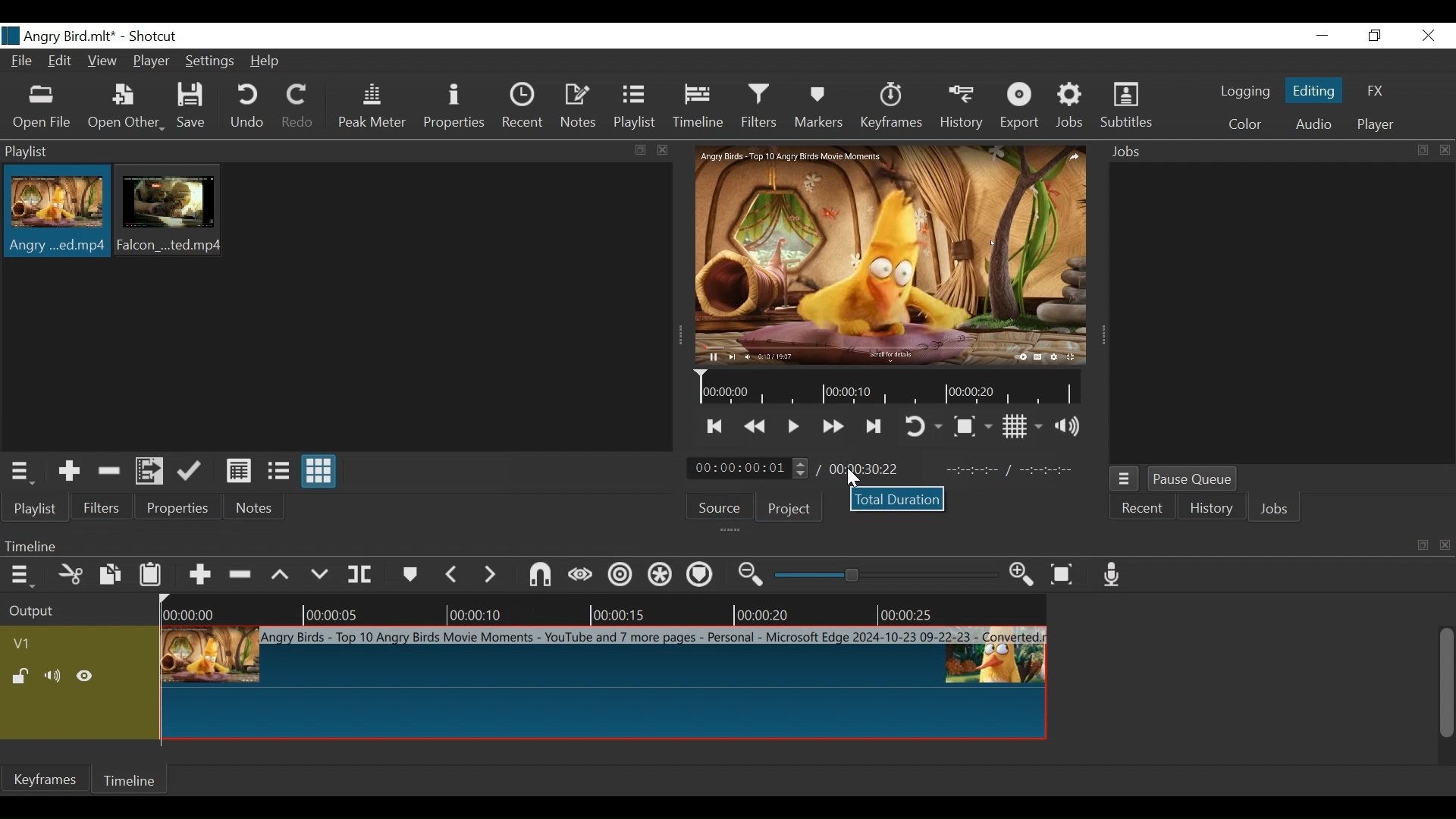 This screenshot has width=1456, height=819. Describe the element at coordinates (601, 682) in the screenshot. I see `Clip at timelin` at that location.